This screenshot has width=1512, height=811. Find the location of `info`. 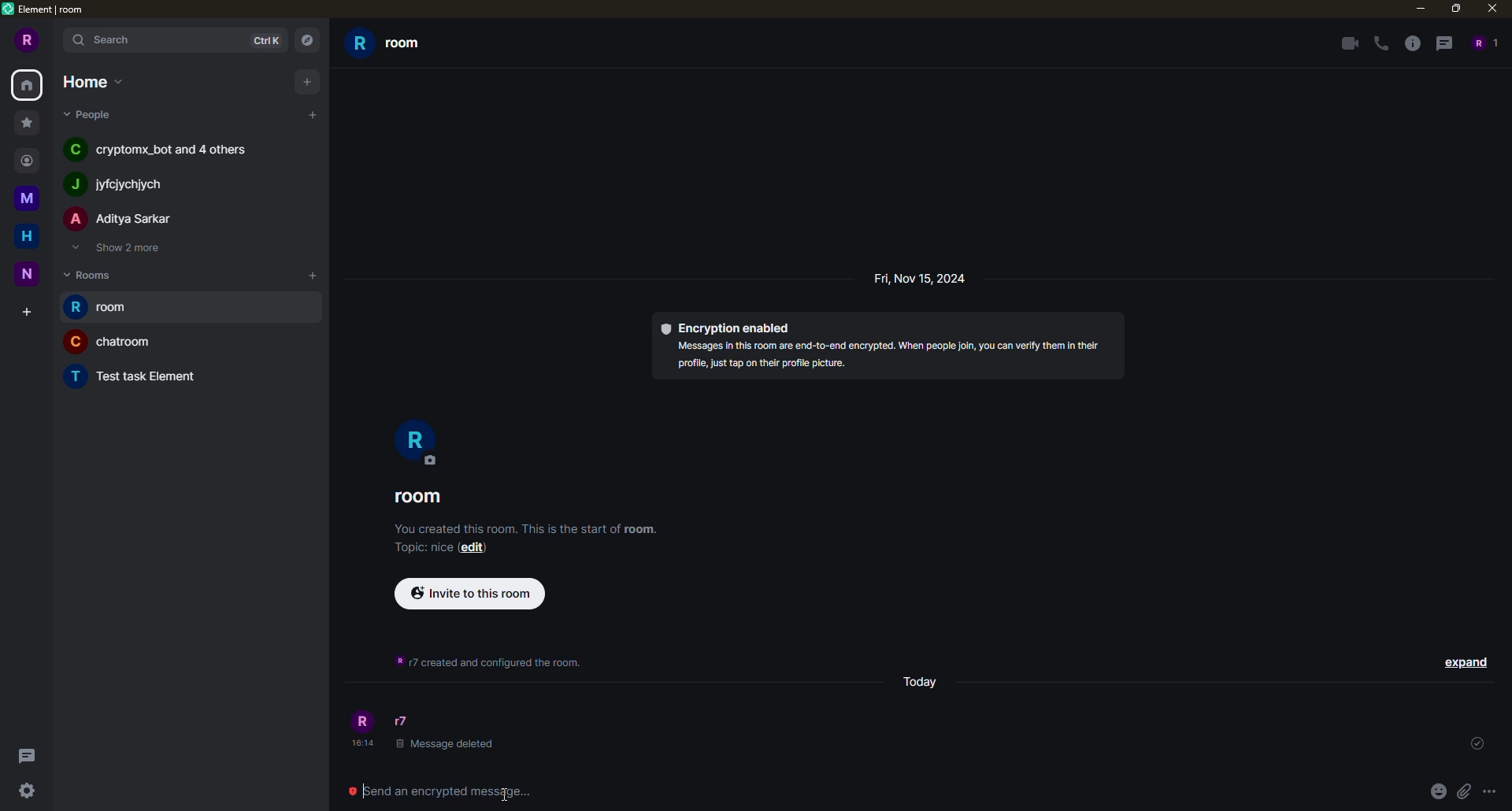

info is located at coordinates (492, 665).